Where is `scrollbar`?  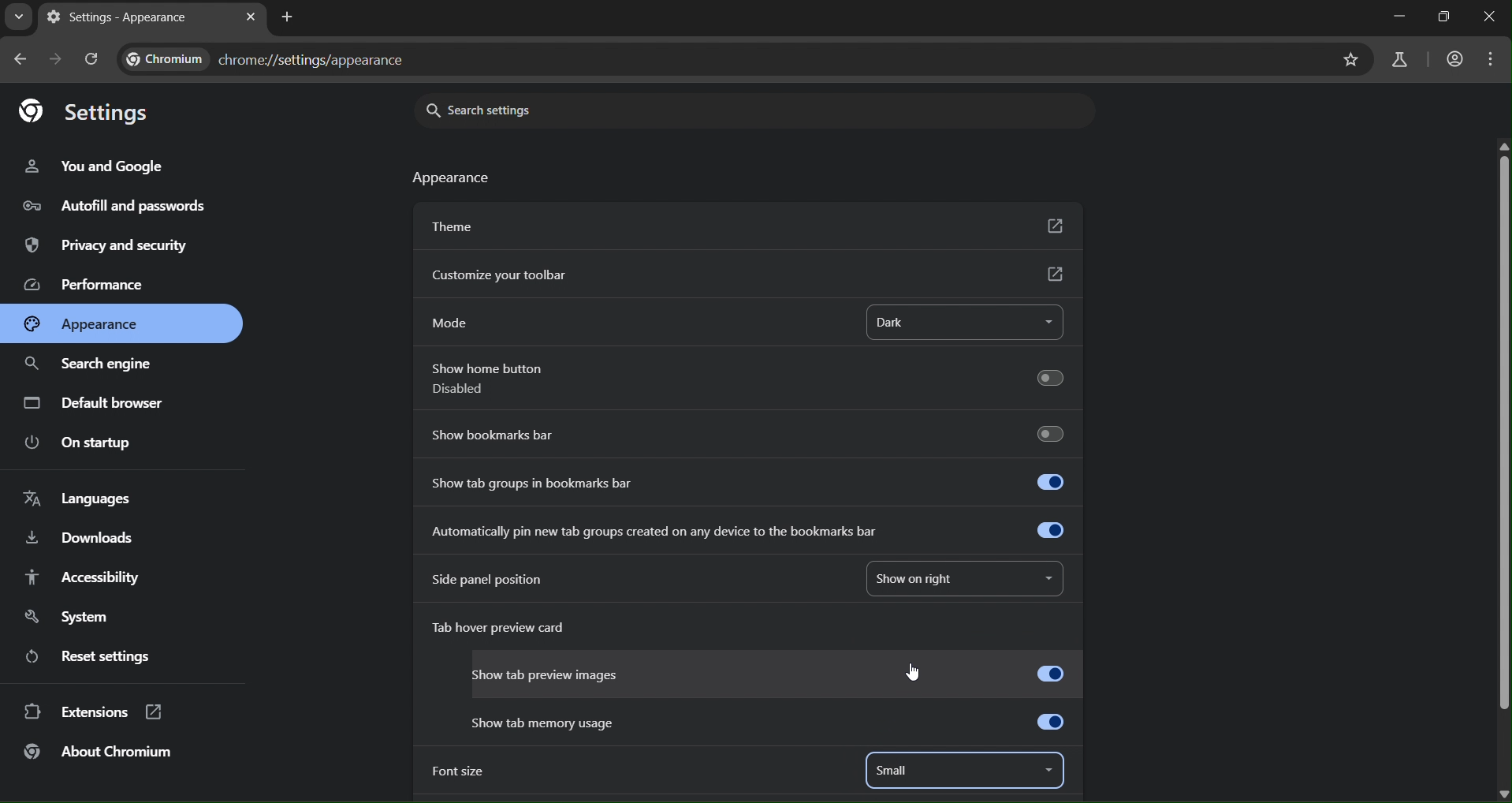 scrollbar is located at coordinates (1498, 425).